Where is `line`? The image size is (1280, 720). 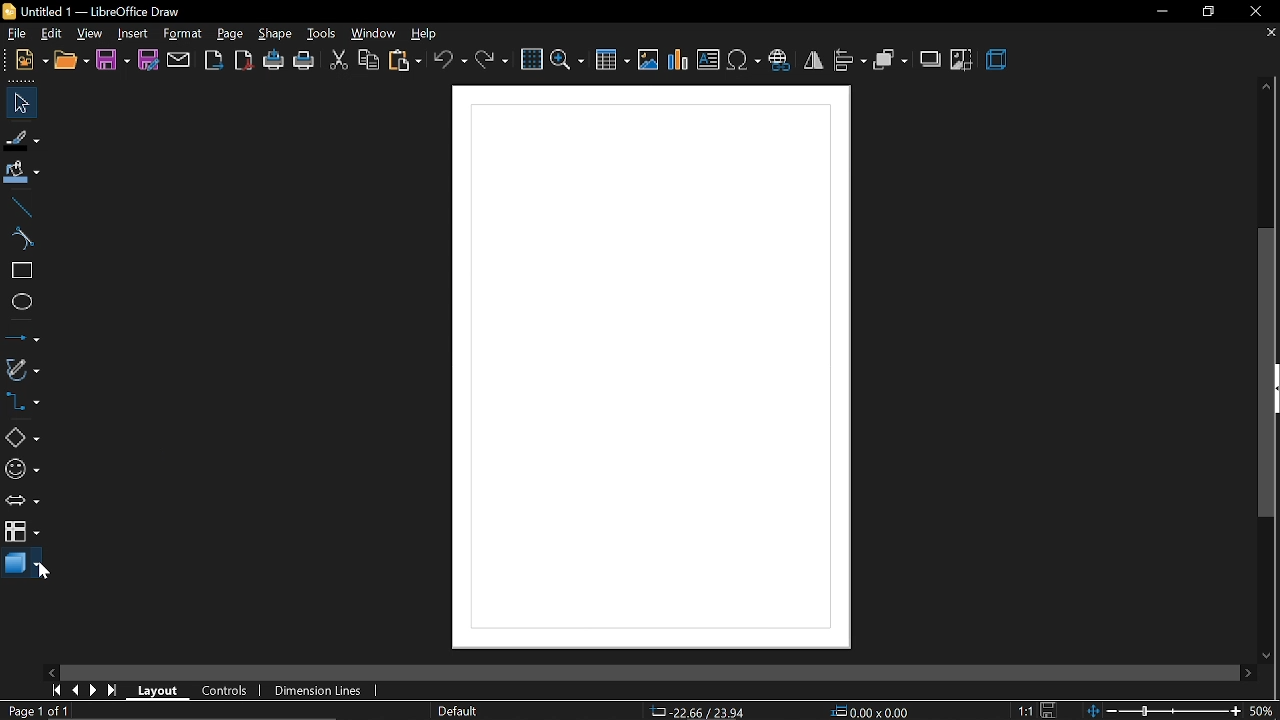
line is located at coordinates (20, 207).